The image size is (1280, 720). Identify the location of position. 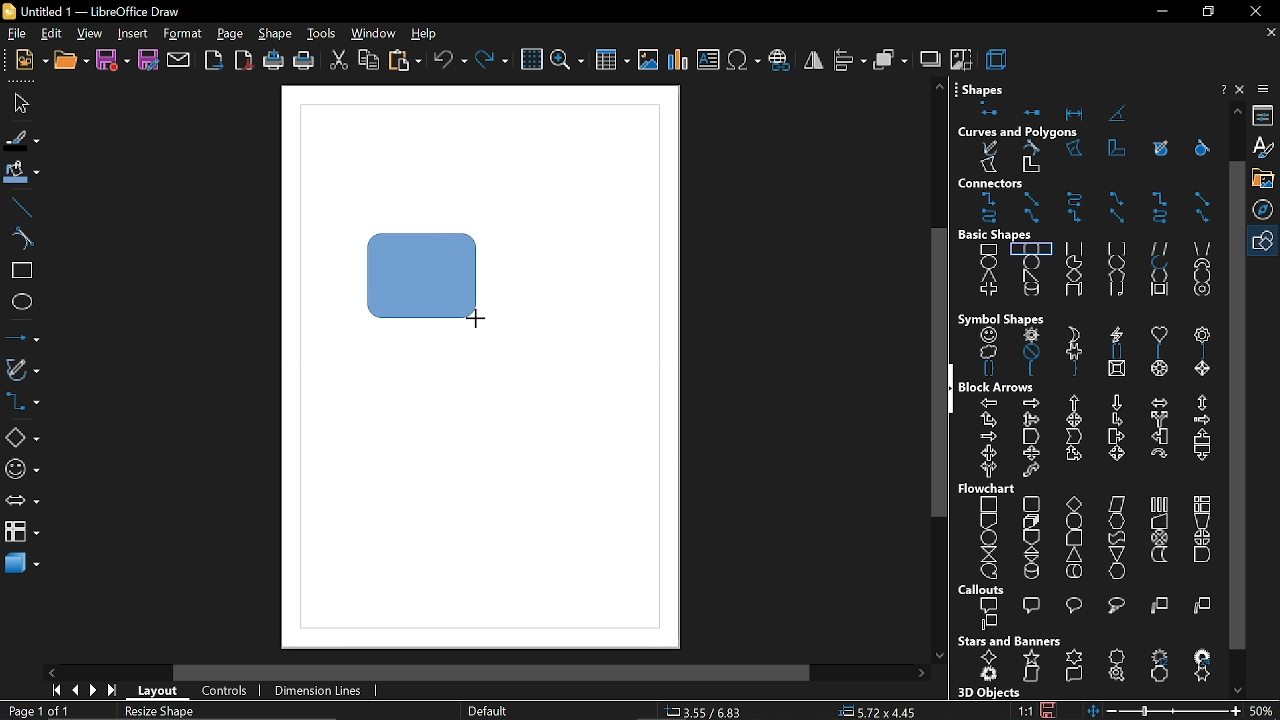
(877, 712).